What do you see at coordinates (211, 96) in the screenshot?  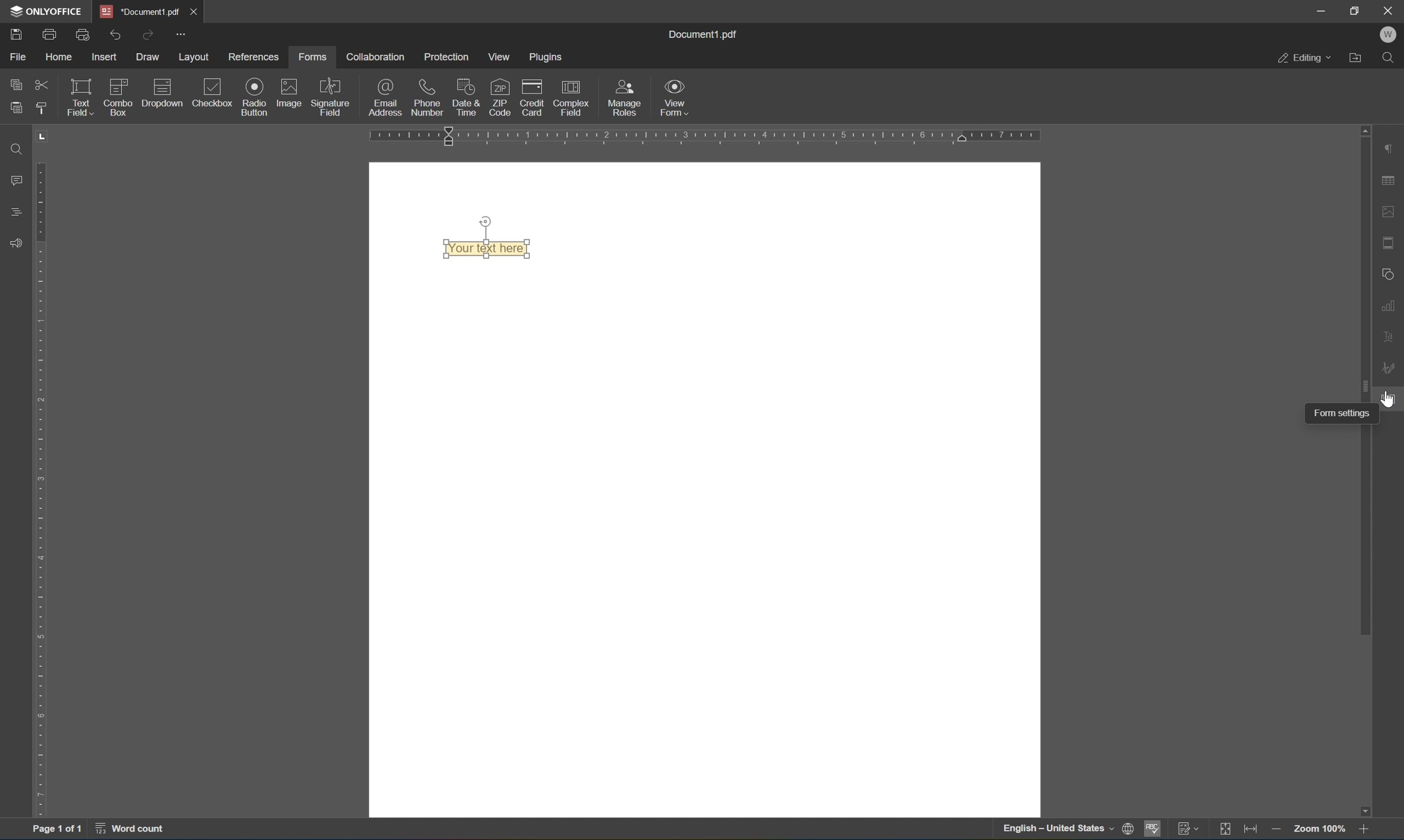 I see `checkbox` at bounding box center [211, 96].